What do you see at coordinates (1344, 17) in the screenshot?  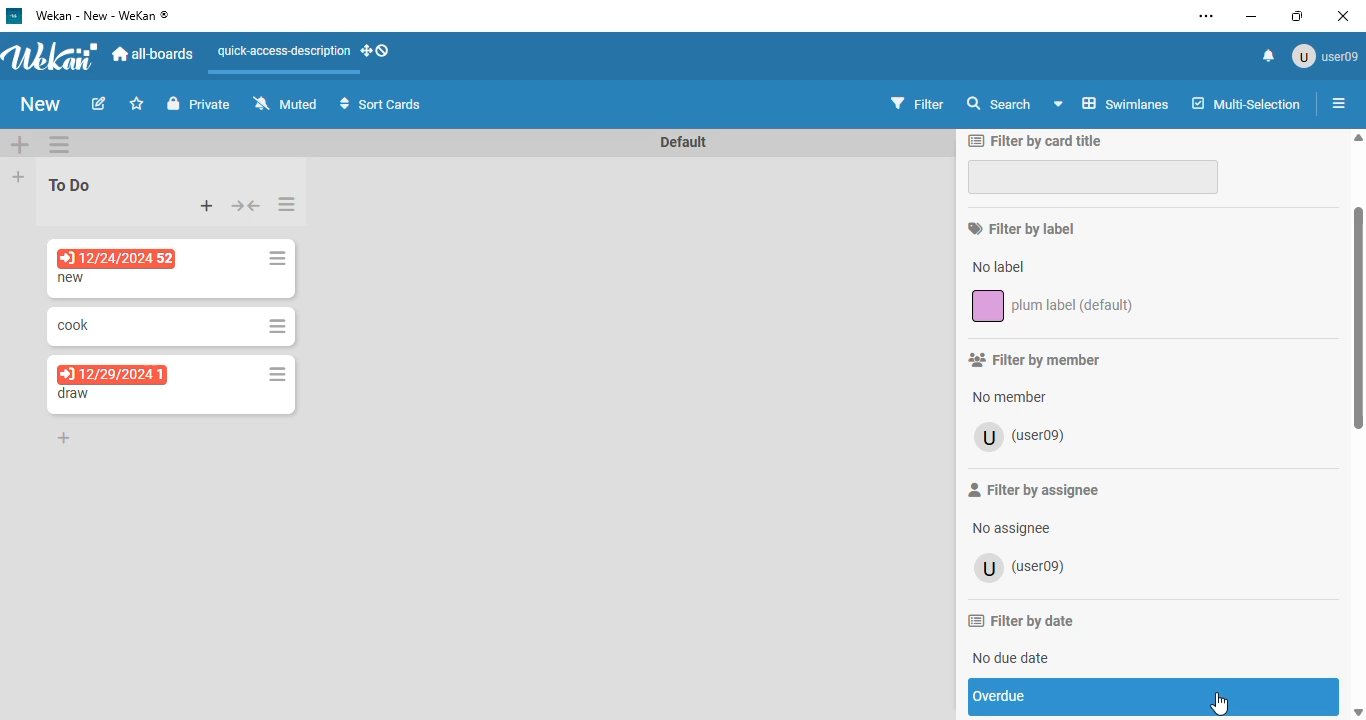 I see `close` at bounding box center [1344, 17].